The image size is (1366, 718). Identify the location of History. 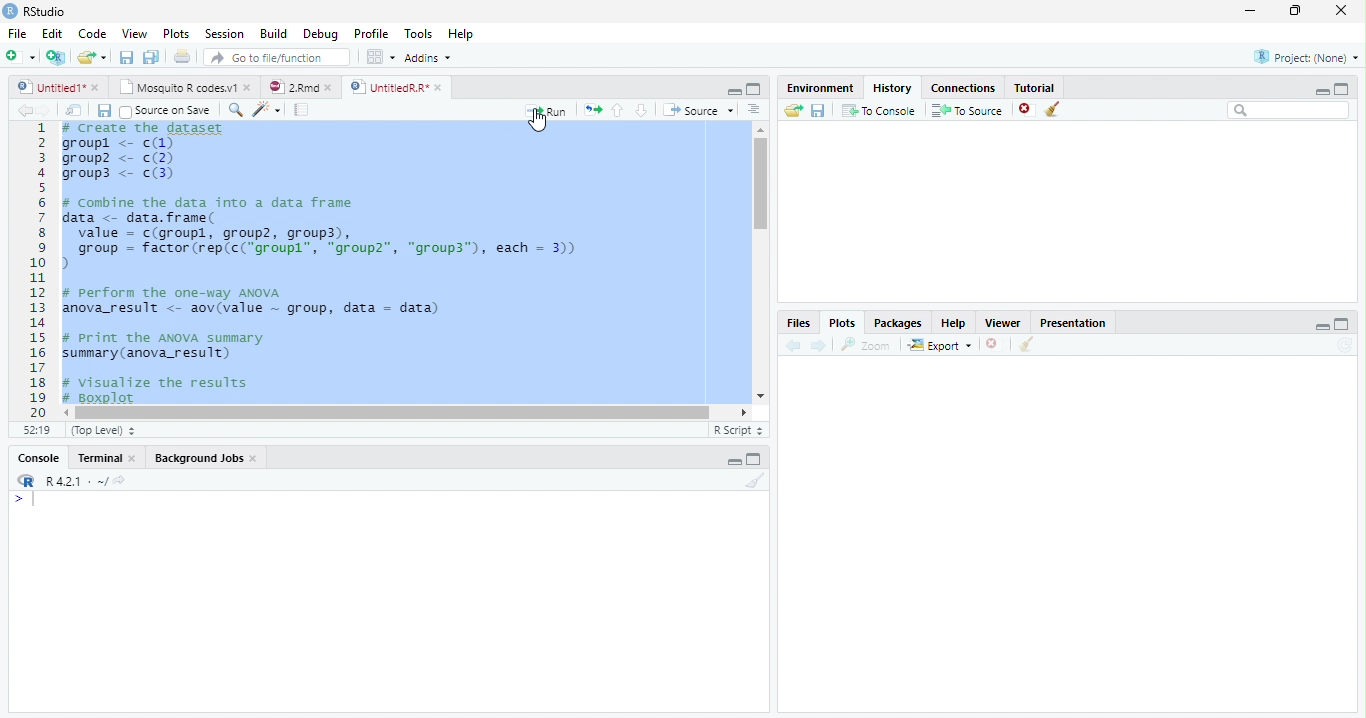
(893, 87).